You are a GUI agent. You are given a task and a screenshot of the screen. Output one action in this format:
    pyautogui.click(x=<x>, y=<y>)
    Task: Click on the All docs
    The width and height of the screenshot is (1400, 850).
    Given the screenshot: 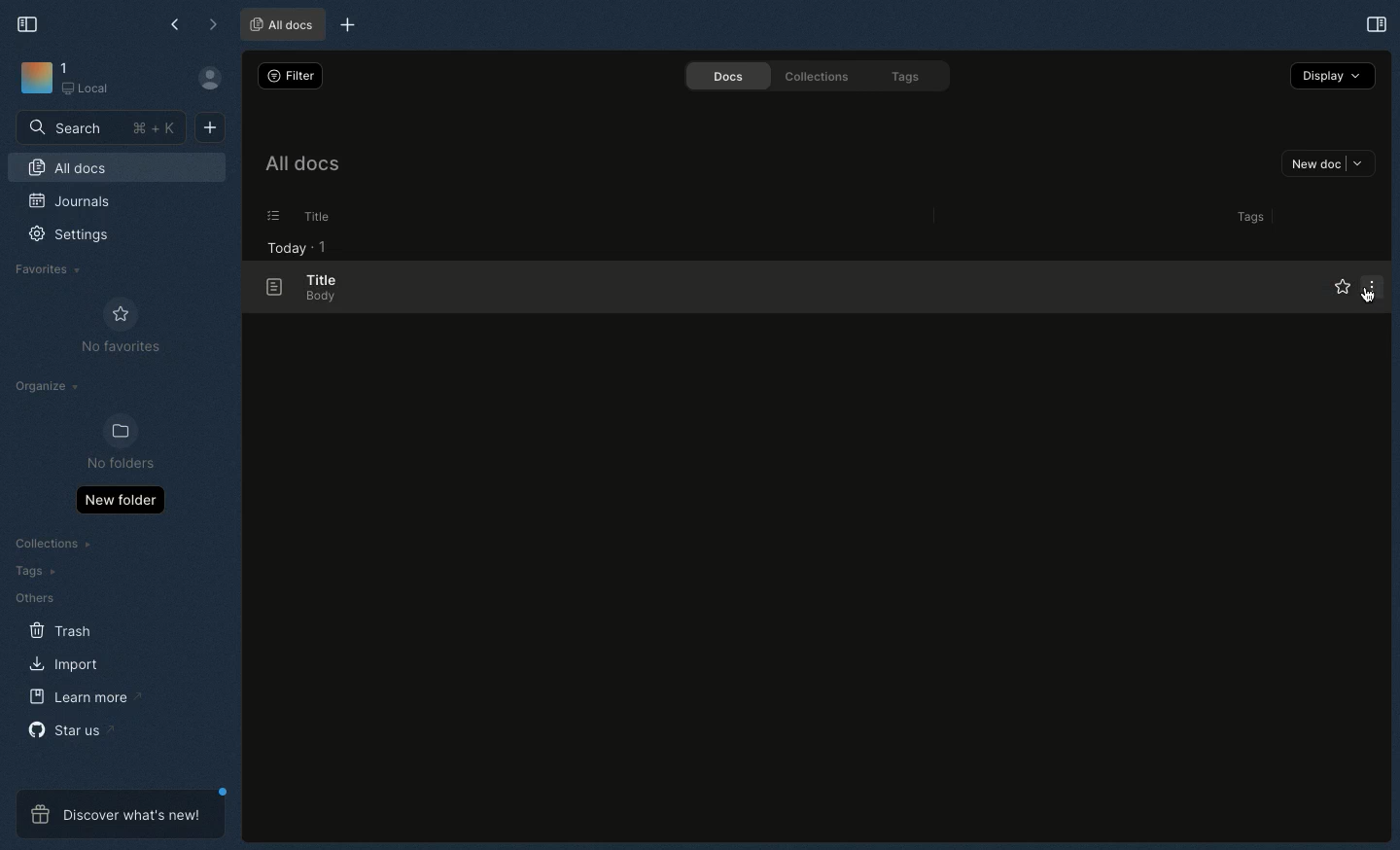 What is the action you would take?
    pyautogui.click(x=300, y=167)
    